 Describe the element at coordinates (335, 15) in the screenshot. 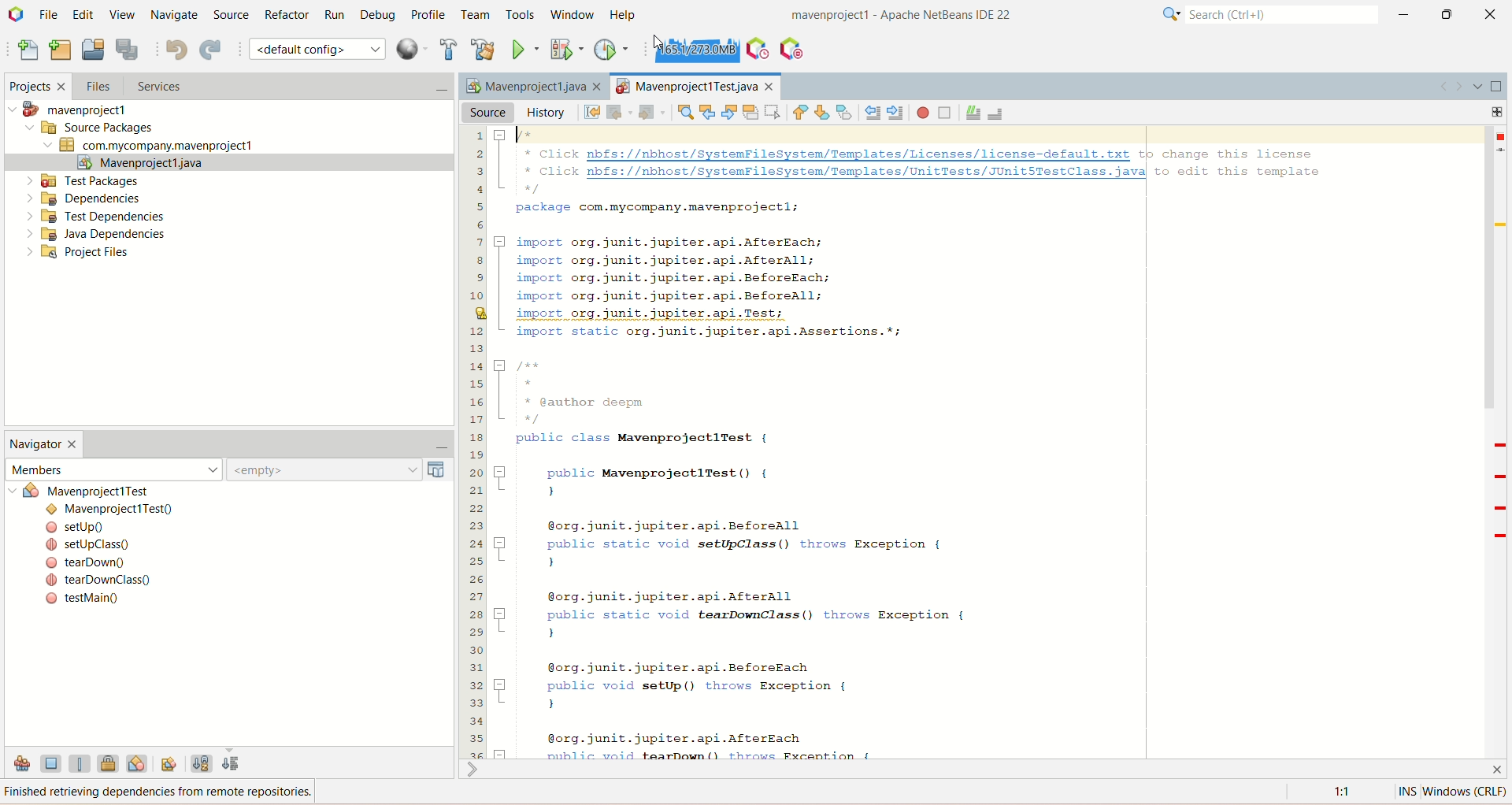

I see `run` at that location.